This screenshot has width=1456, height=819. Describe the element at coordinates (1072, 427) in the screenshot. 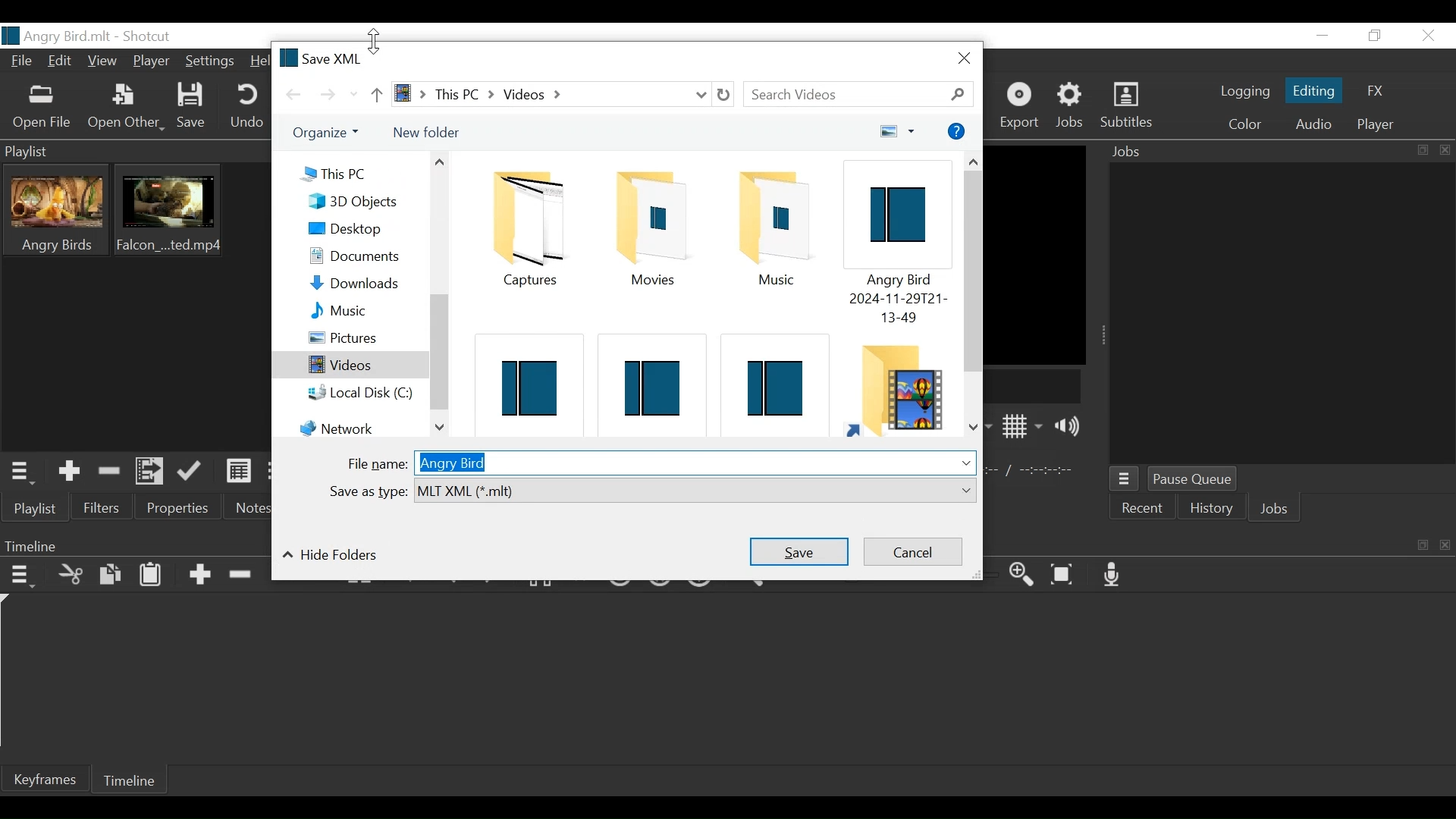

I see `Show volume control` at that location.